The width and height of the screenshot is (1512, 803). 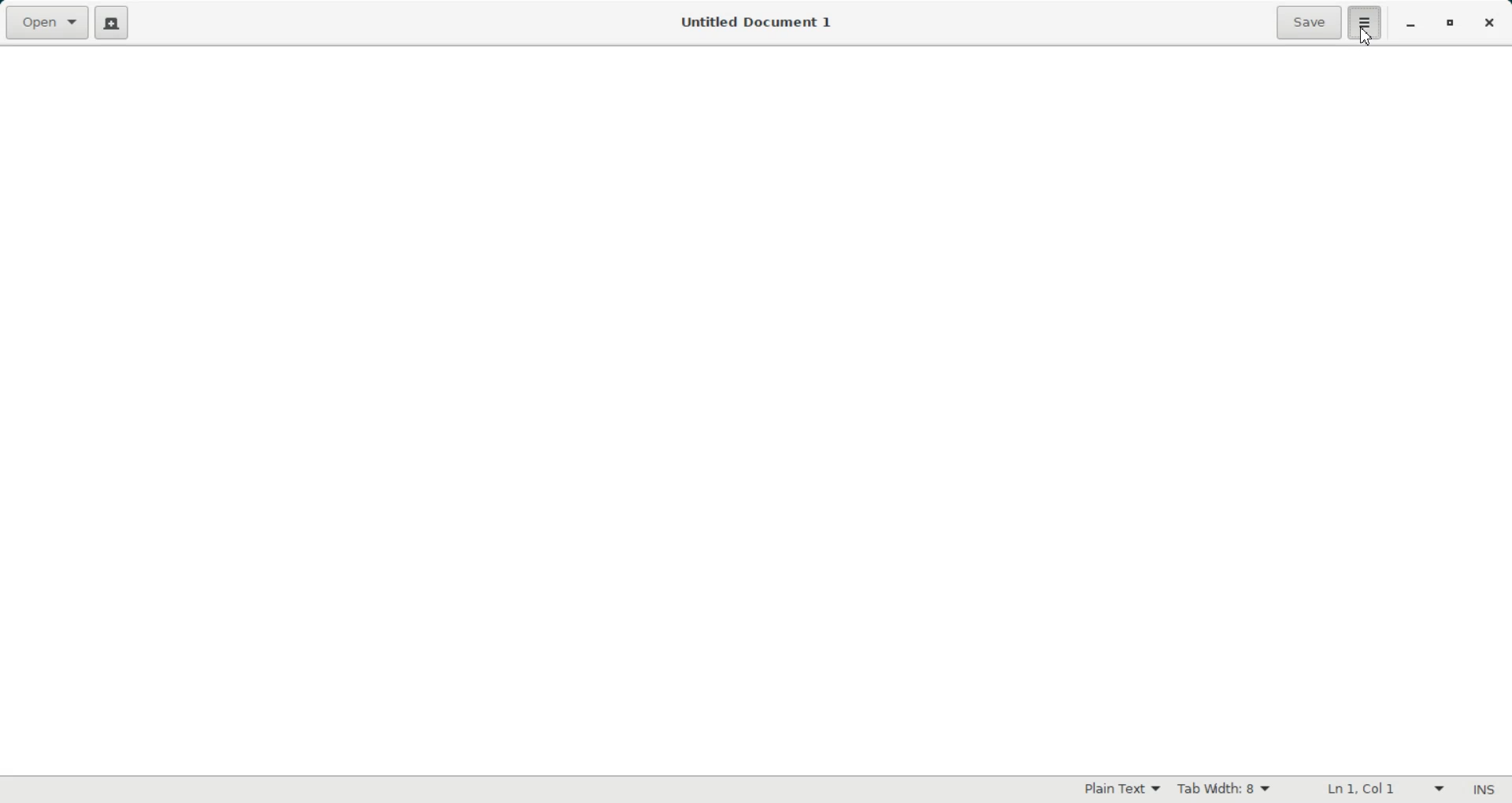 I want to click on Save , so click(x=1309, y=23).